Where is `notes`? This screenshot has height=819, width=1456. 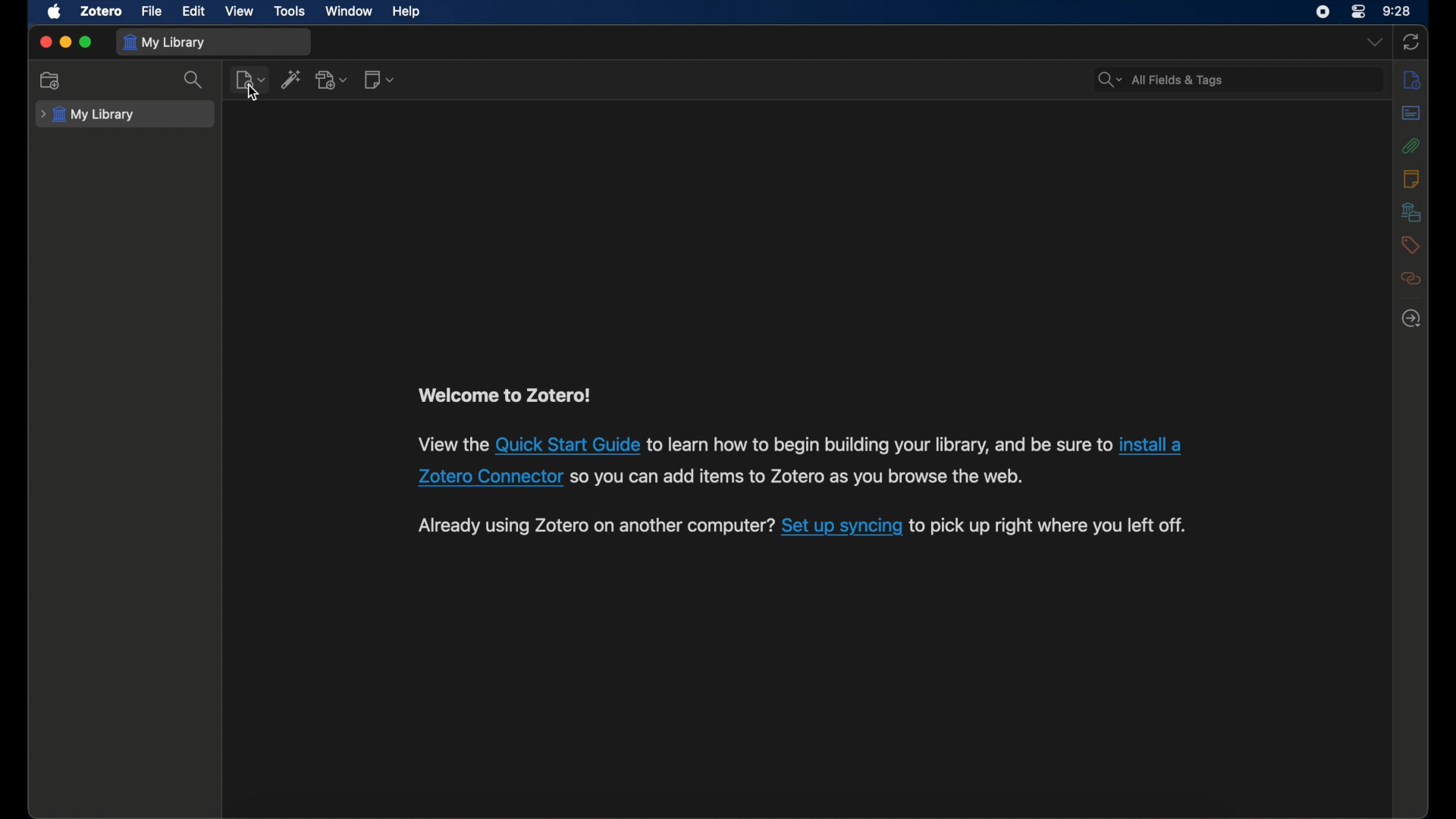 notes is located at coordinates (1412, 178).